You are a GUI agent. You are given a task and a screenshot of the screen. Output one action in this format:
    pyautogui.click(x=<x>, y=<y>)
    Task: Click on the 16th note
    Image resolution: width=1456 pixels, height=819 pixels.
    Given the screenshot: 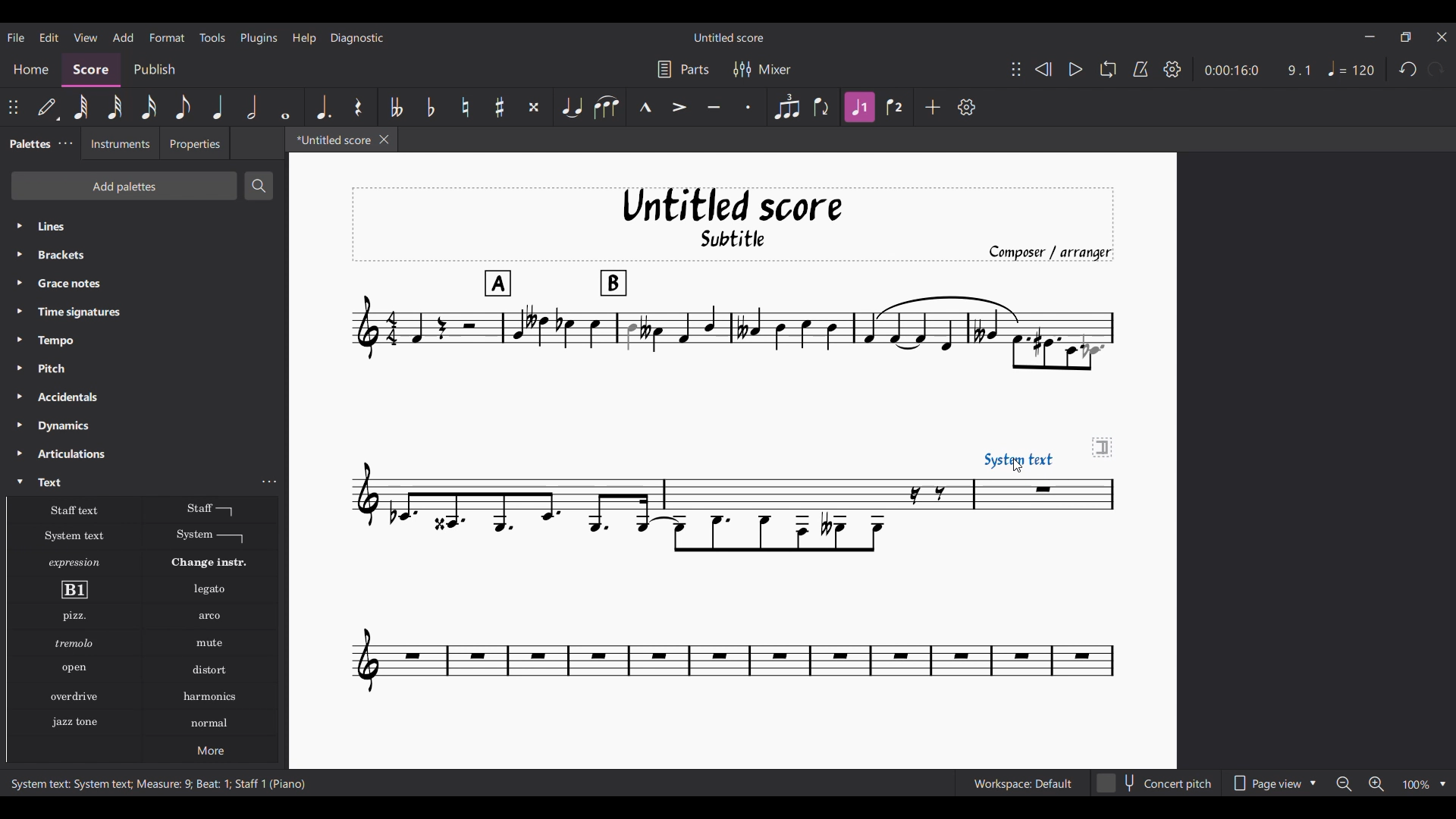 What is the action you would take?
    pyautogui.click(x=149, y=107)
    